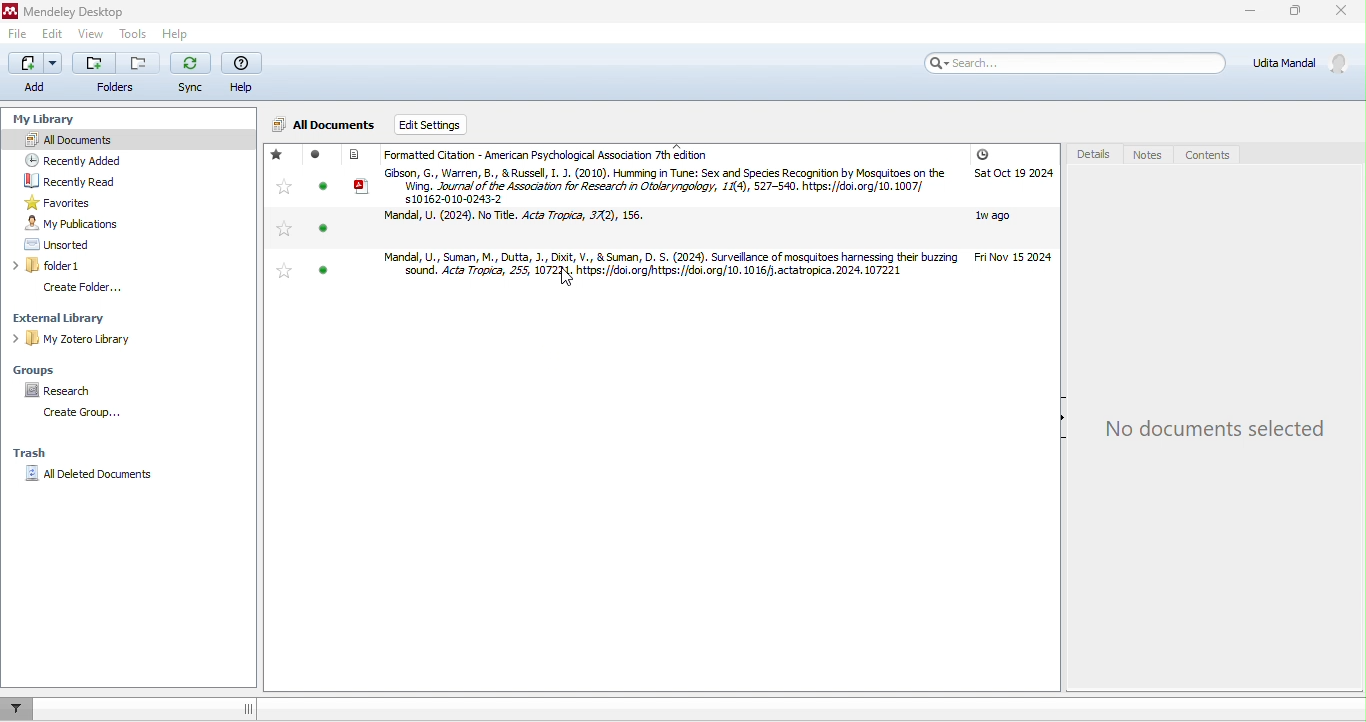  What do you see at coordinates (117, 75) in the screenshot?
I see `folders` at bounding box center [117, 75].